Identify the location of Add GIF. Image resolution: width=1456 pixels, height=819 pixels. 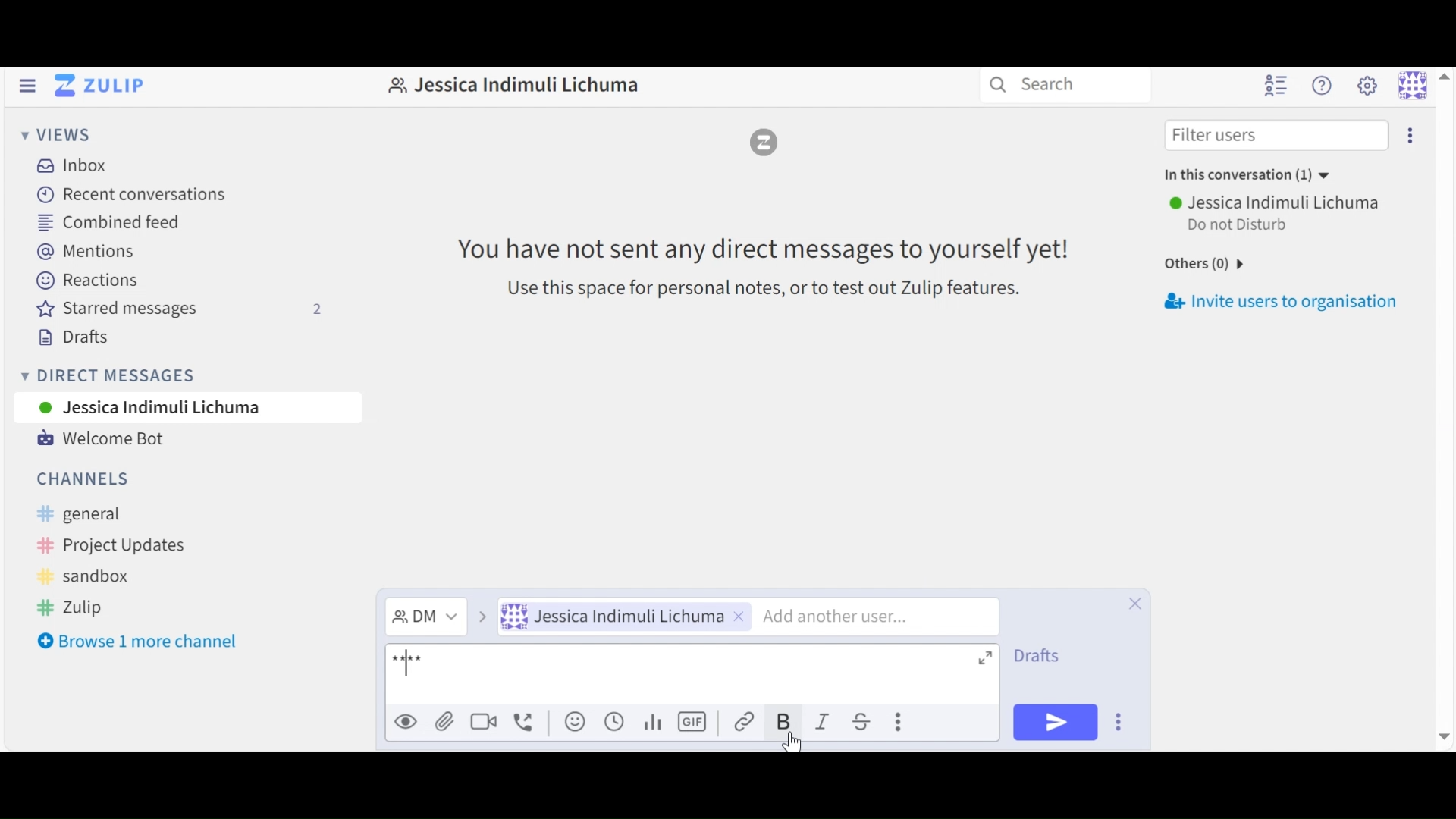
(694, 721).